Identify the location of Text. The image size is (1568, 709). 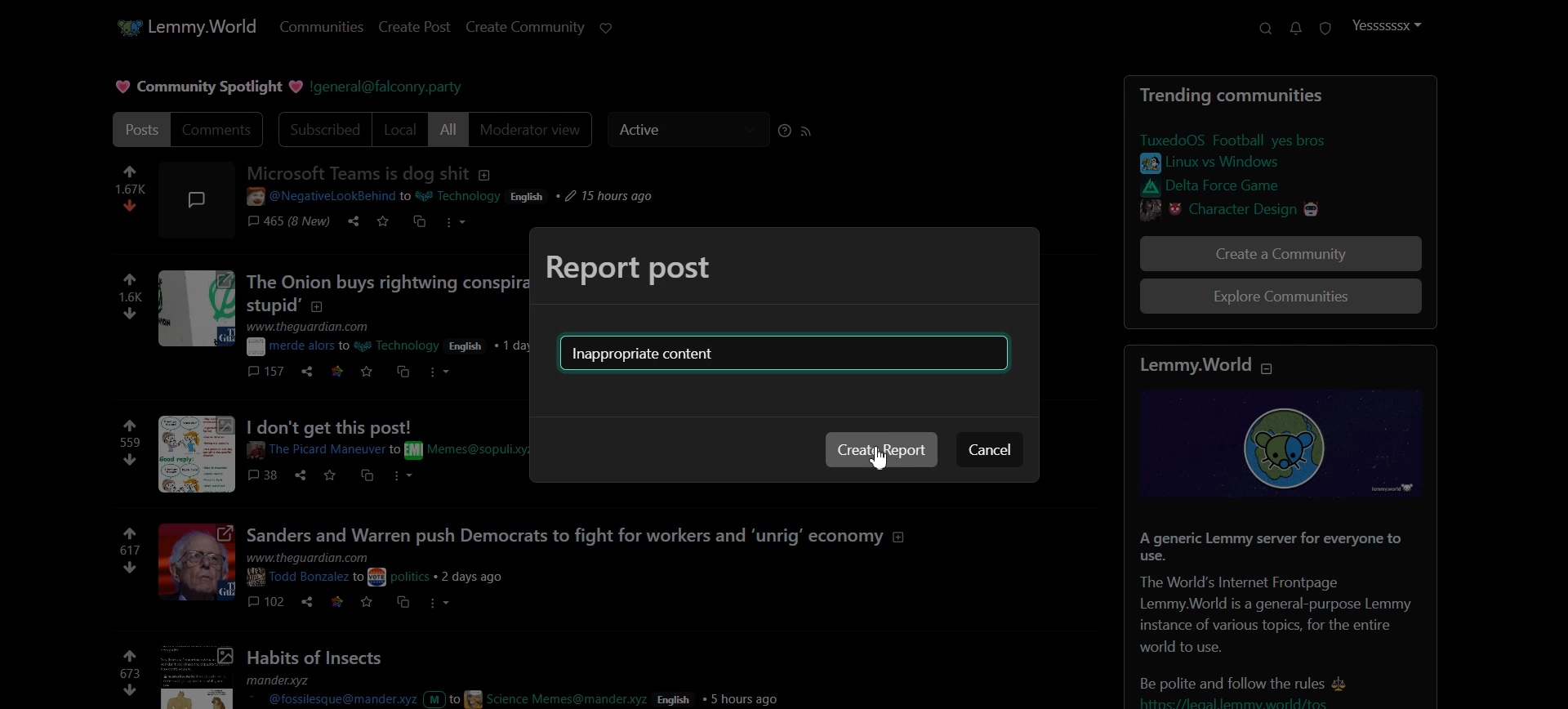
(206, 87).